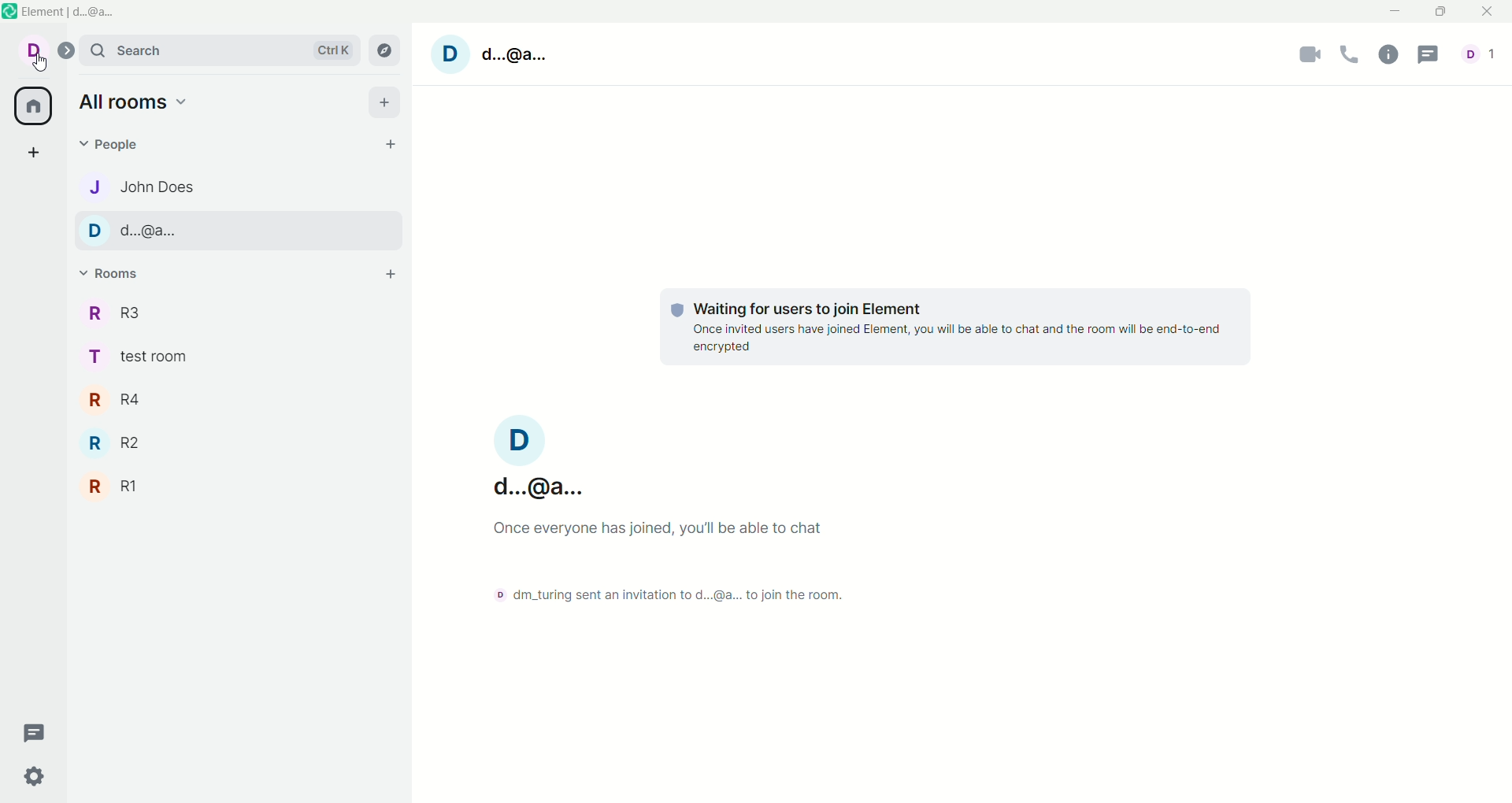 The image size is (1512, 803). Describe the element at coordinates (226, 51) in the screenshot. I see `search` at that location.